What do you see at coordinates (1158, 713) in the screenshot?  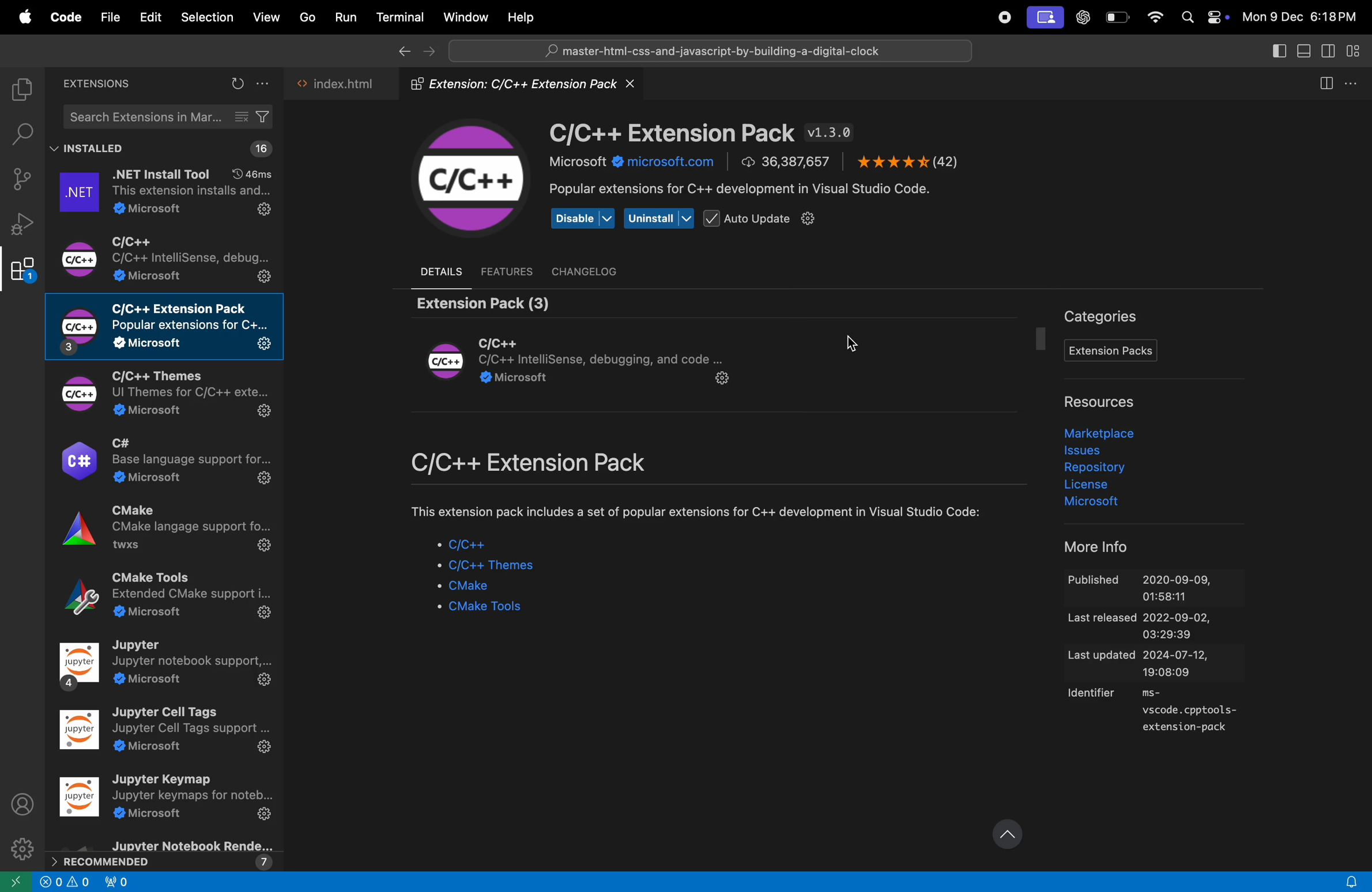 I see `identifier` at bounding box center [1158, 713].